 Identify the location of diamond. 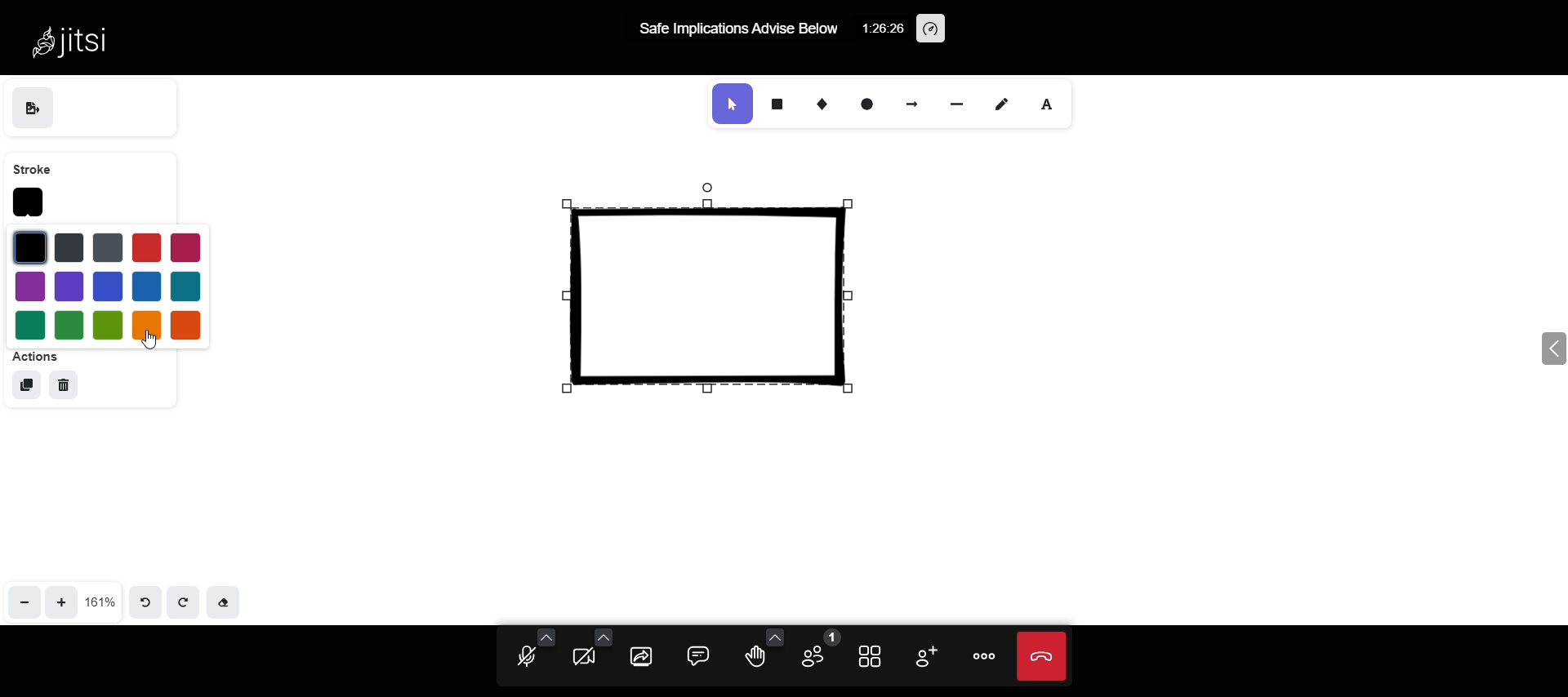
(818, 101).